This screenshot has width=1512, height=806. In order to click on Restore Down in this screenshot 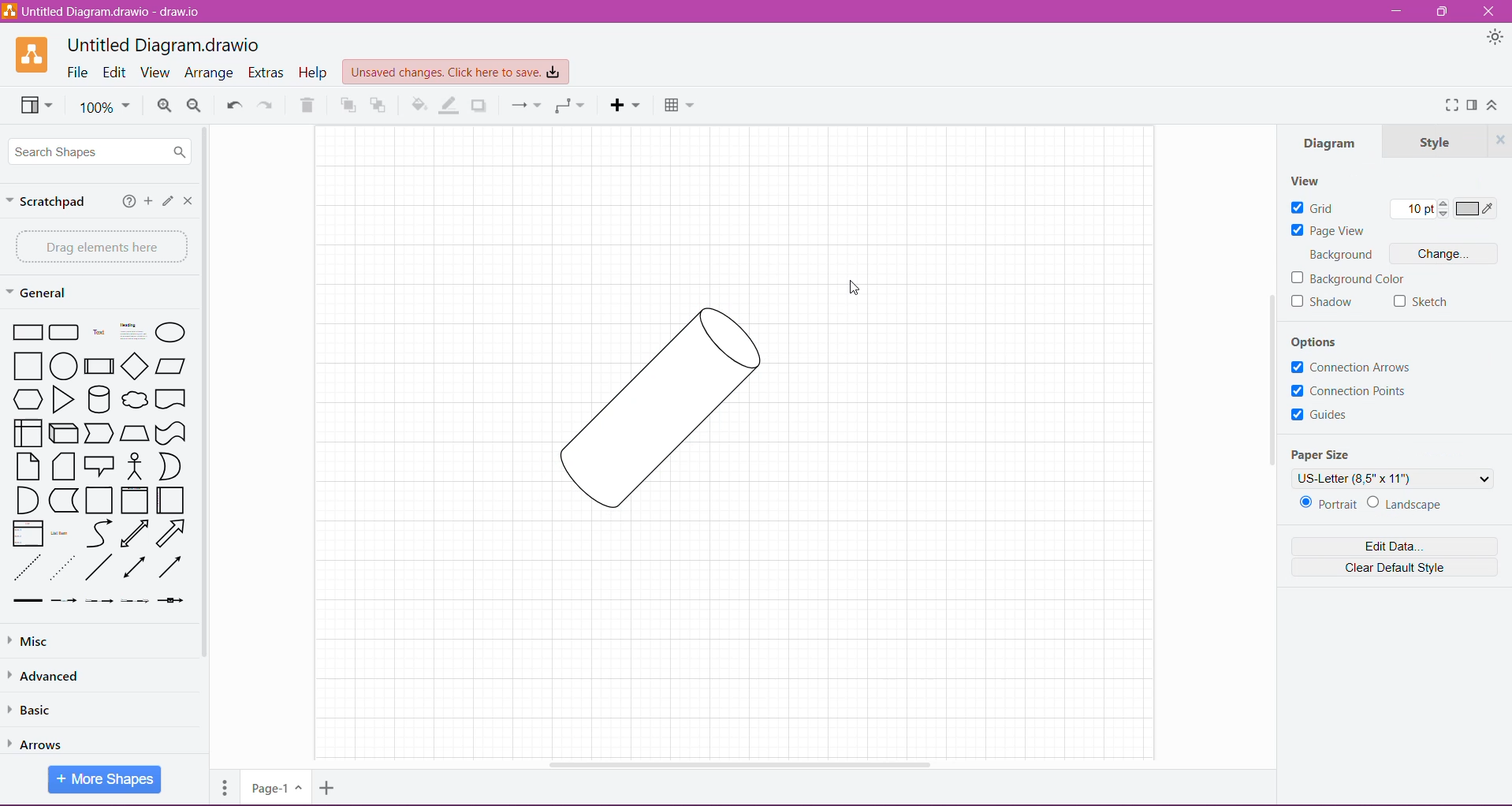, I will do `click(1443, 12)`.